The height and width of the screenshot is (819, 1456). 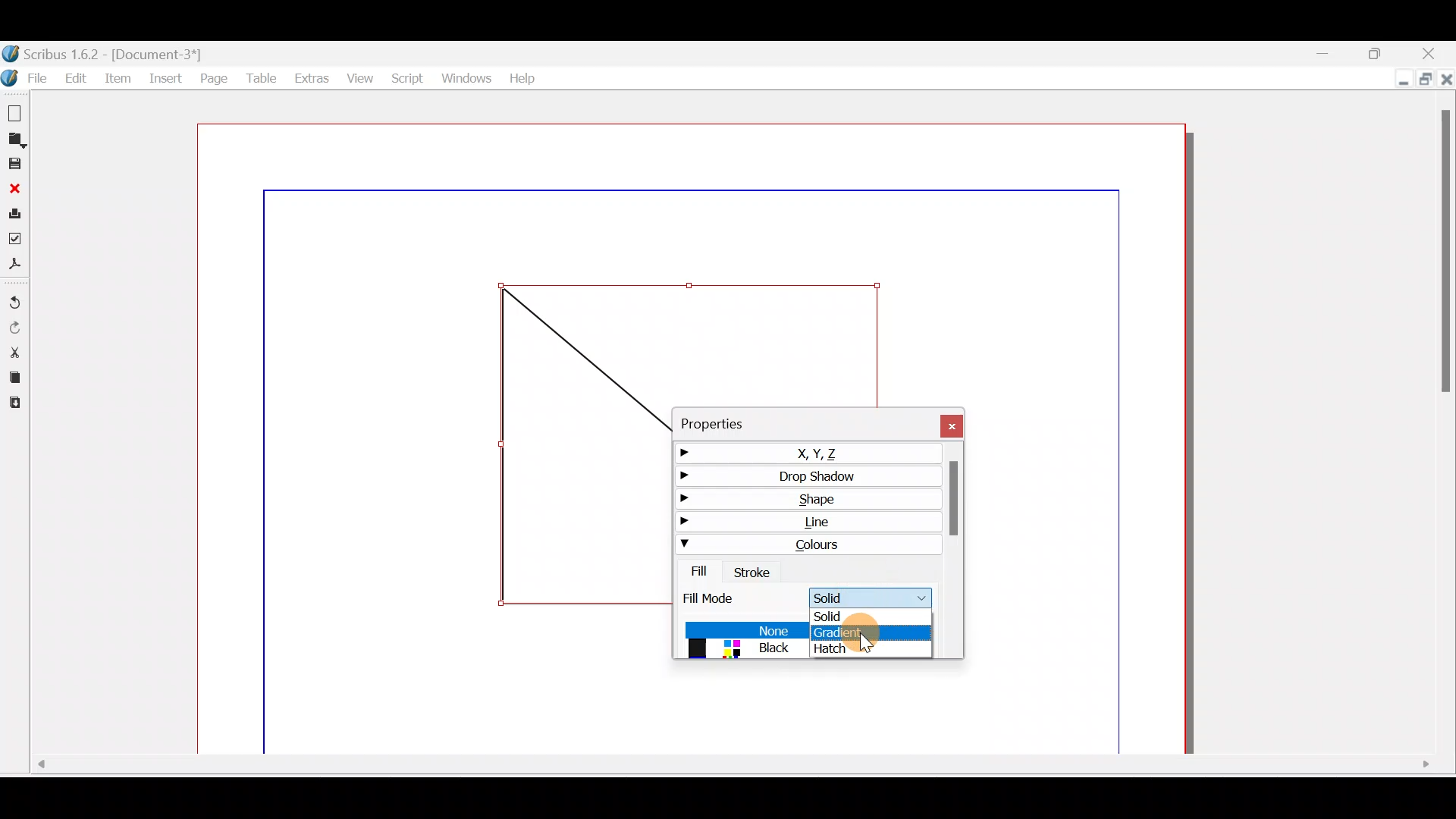 I want to click on Insert, so click(x=165, y=80).